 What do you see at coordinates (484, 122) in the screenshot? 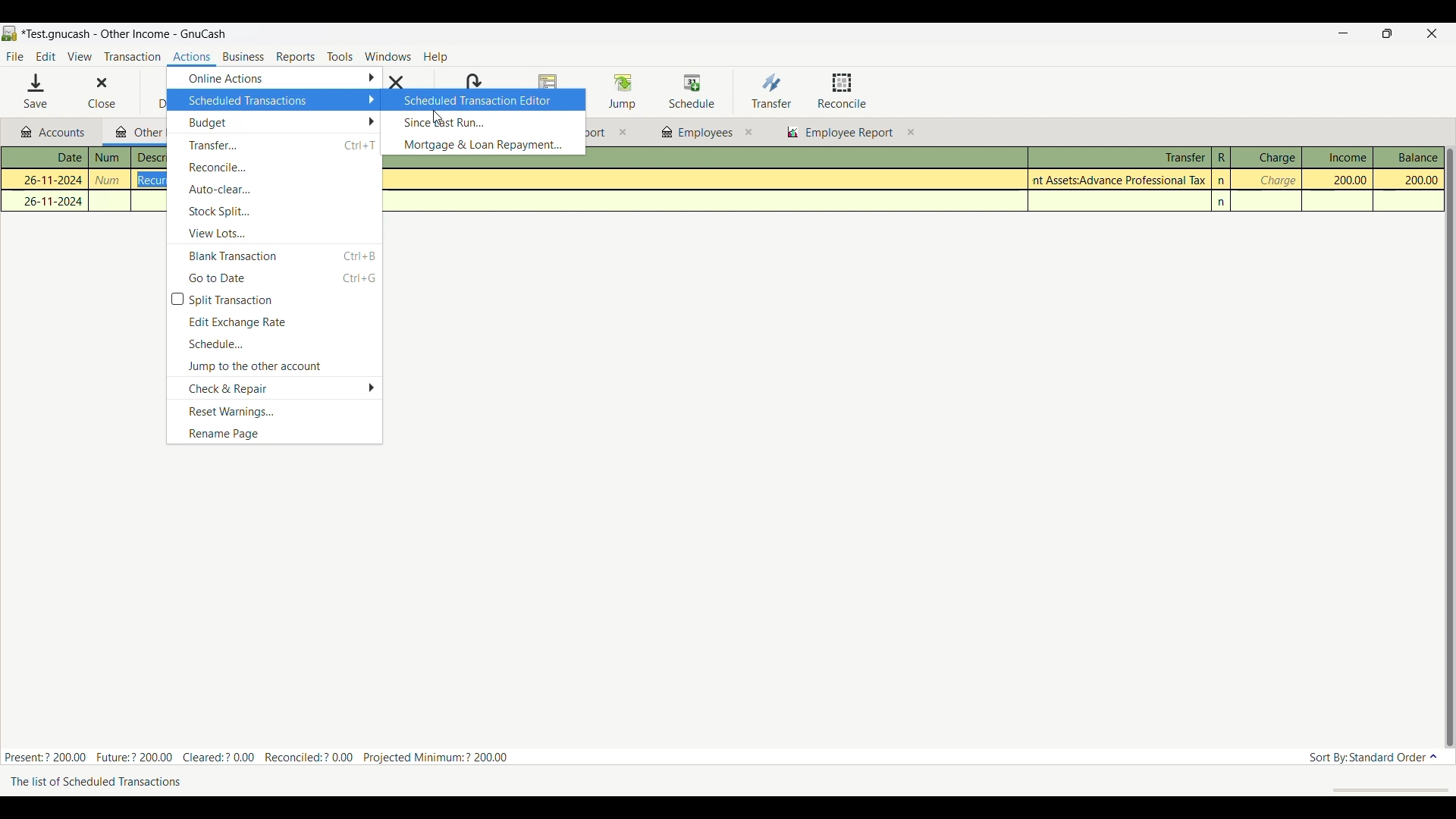
I see `Since last run` at bounding box center [484, 122].